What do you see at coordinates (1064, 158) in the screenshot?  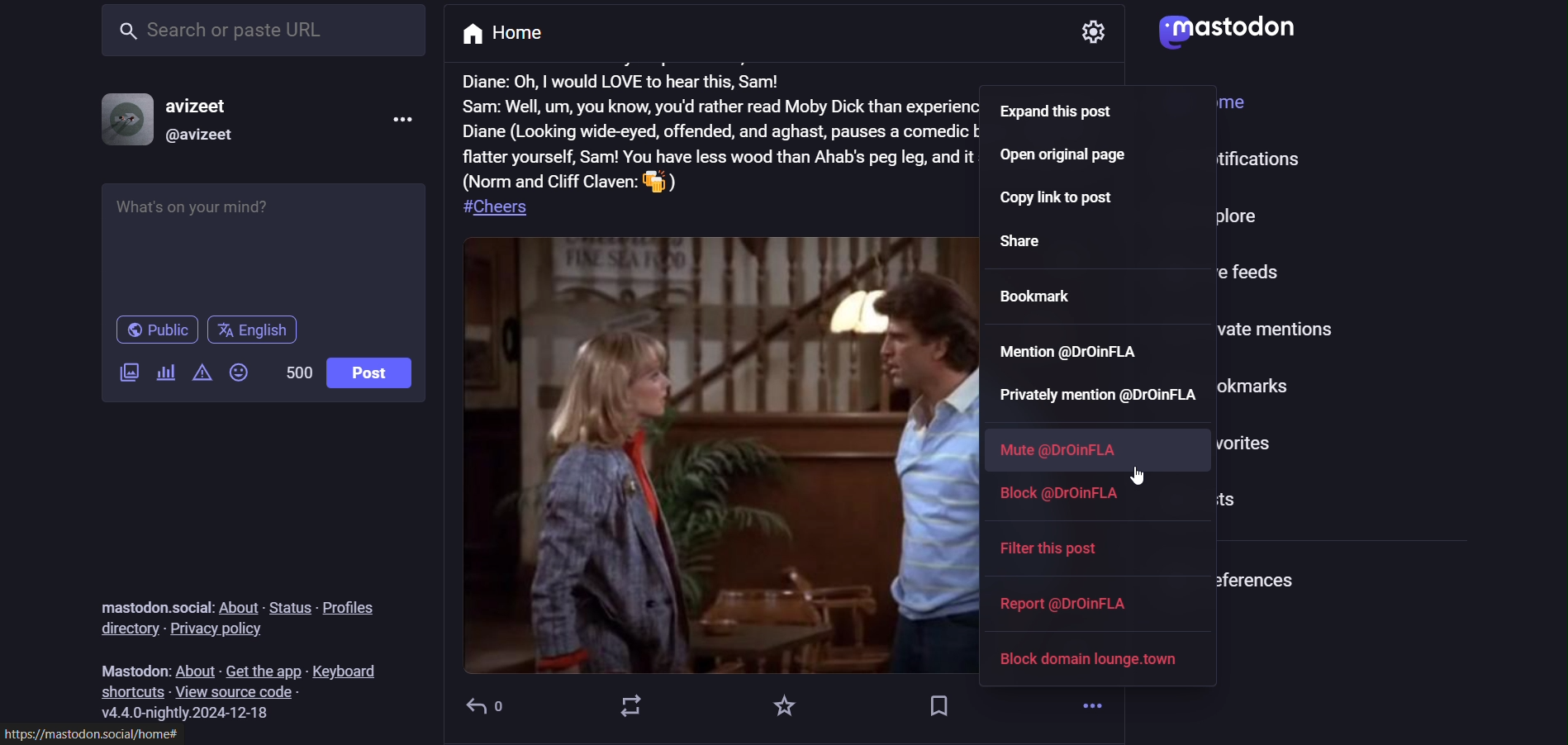 I see `open origianl page` at bounding box center [1064, 158].